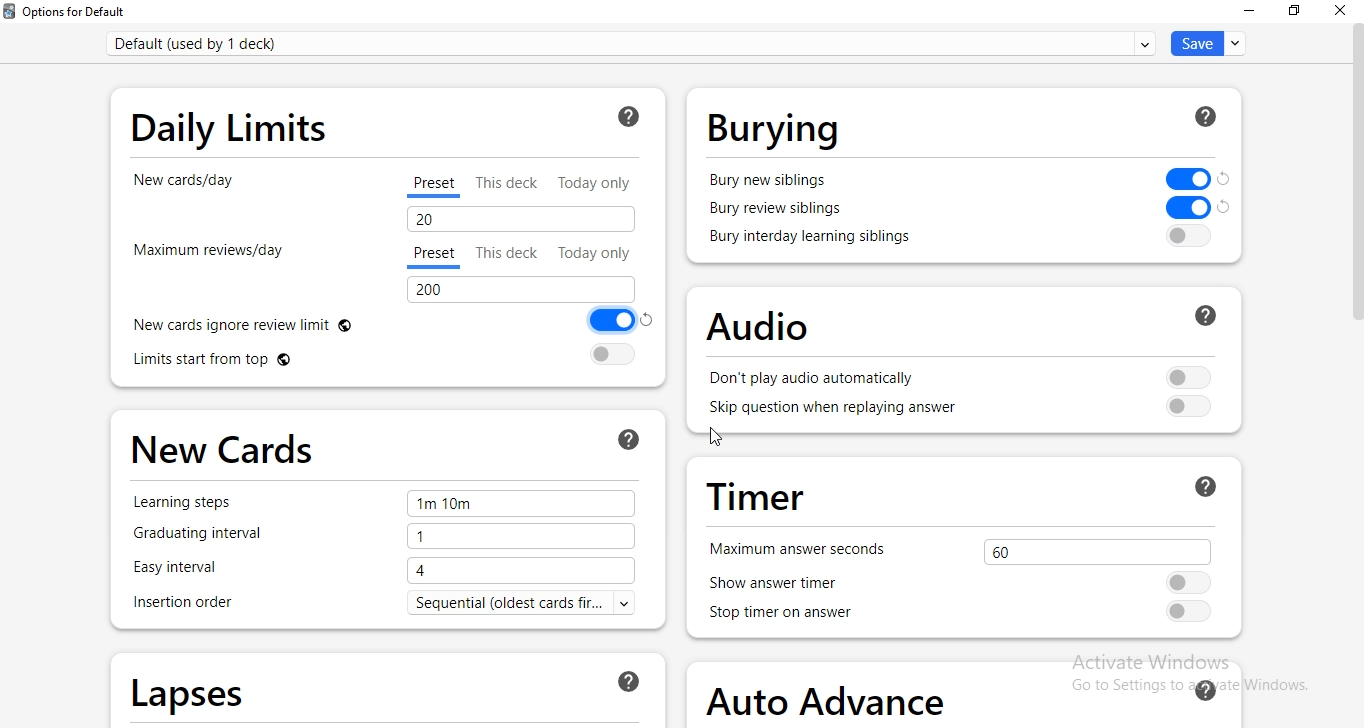 Image resolution: width=1364 pixels, height=728 pixels. I want to click on 20, so click(519, 219).